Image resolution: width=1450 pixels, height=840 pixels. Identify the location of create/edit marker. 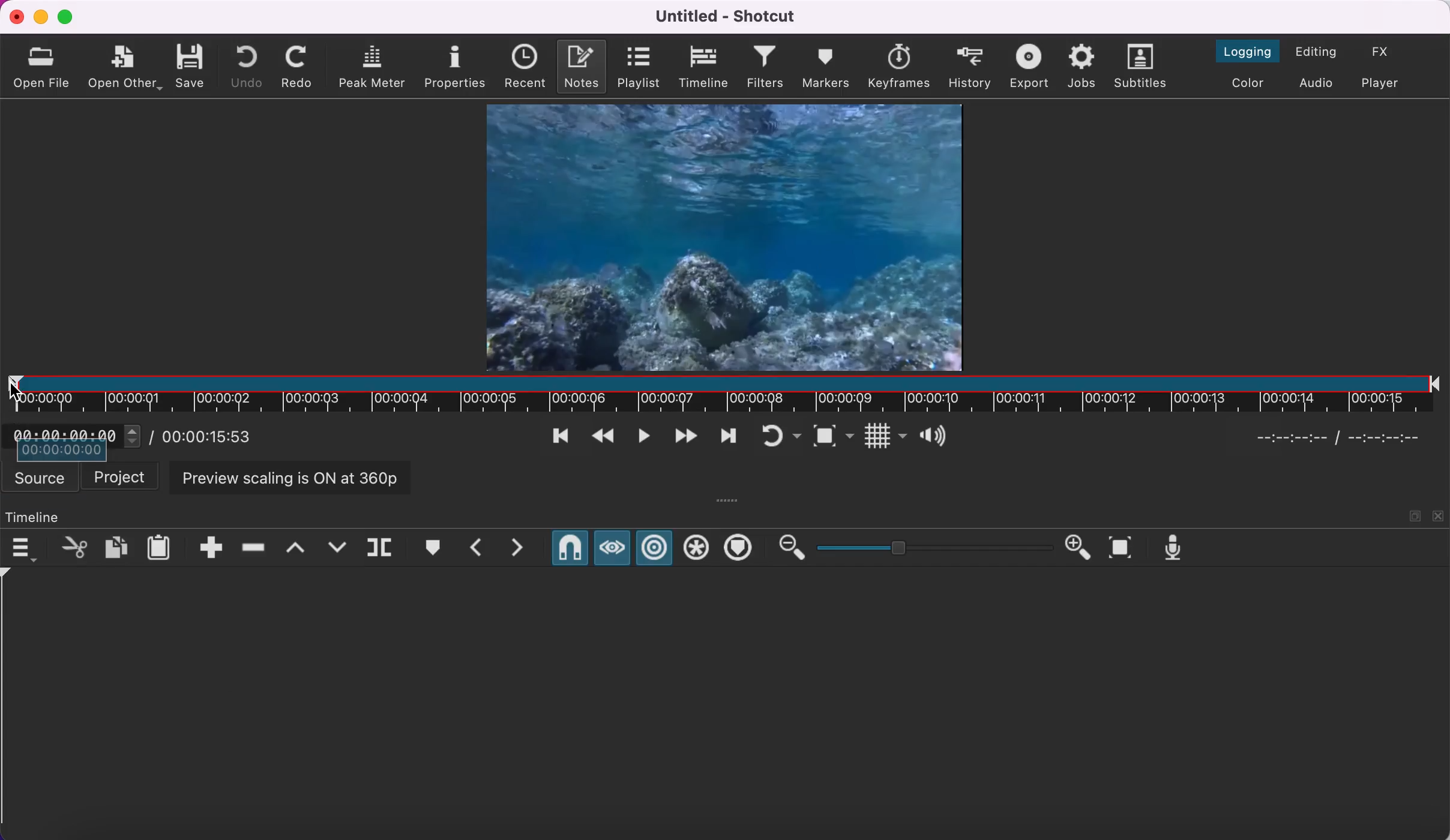
(432, 545).